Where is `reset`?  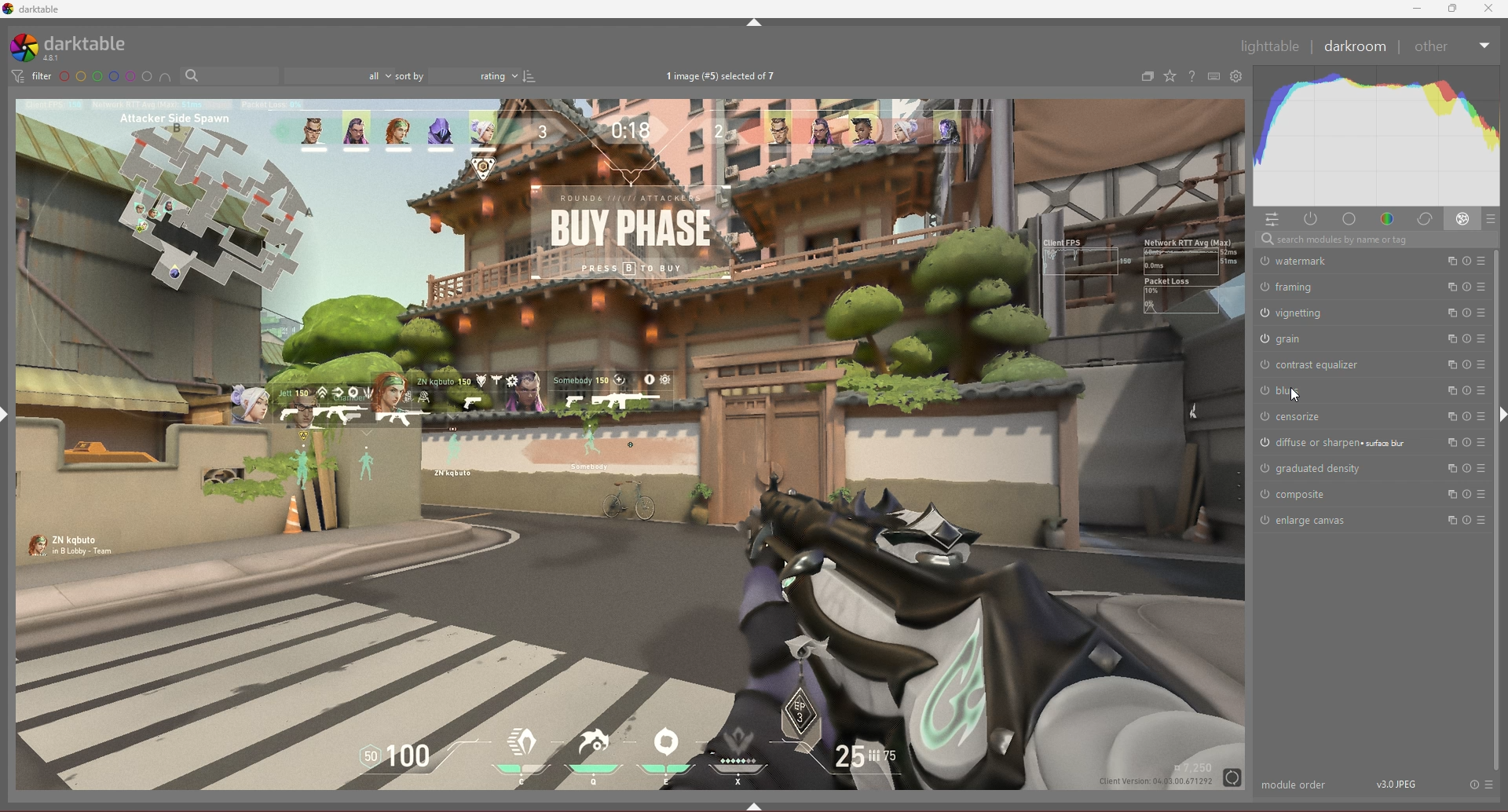
reset is located at coordinates (1467, 313).